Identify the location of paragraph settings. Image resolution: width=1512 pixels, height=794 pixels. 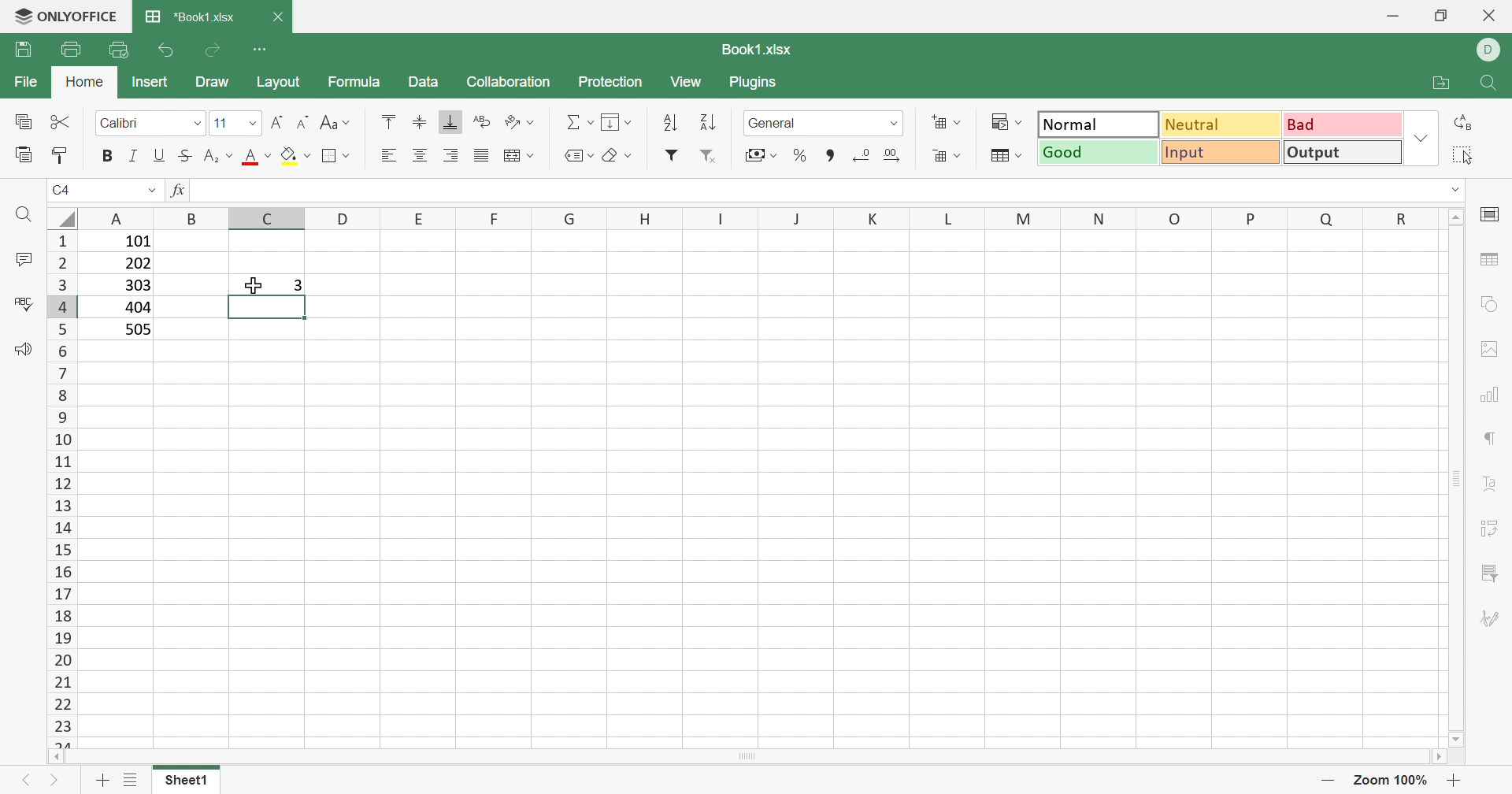
(1492, 438).